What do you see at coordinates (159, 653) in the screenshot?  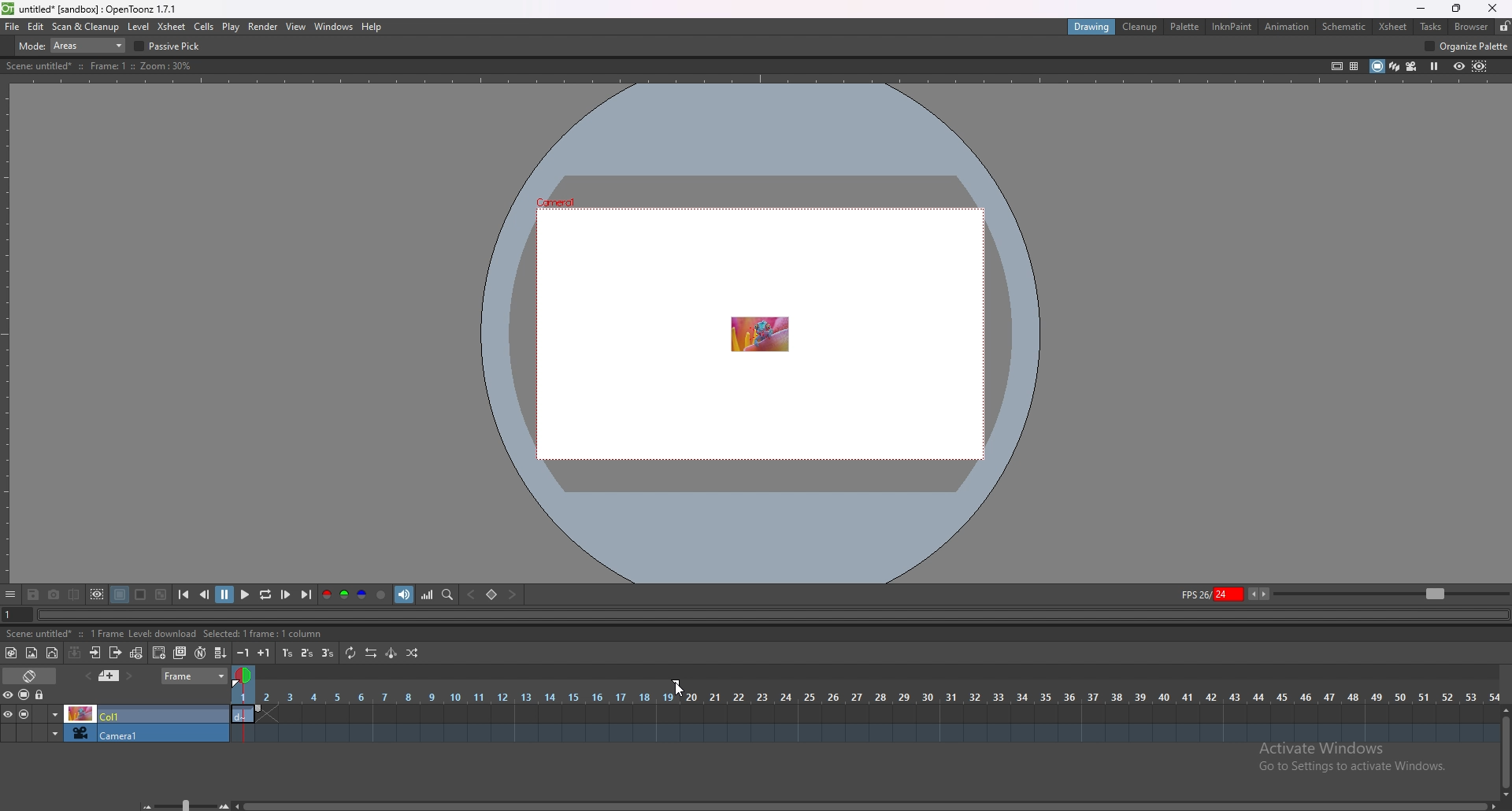 I see `create blank drawing` at bounding box center [159, 653].